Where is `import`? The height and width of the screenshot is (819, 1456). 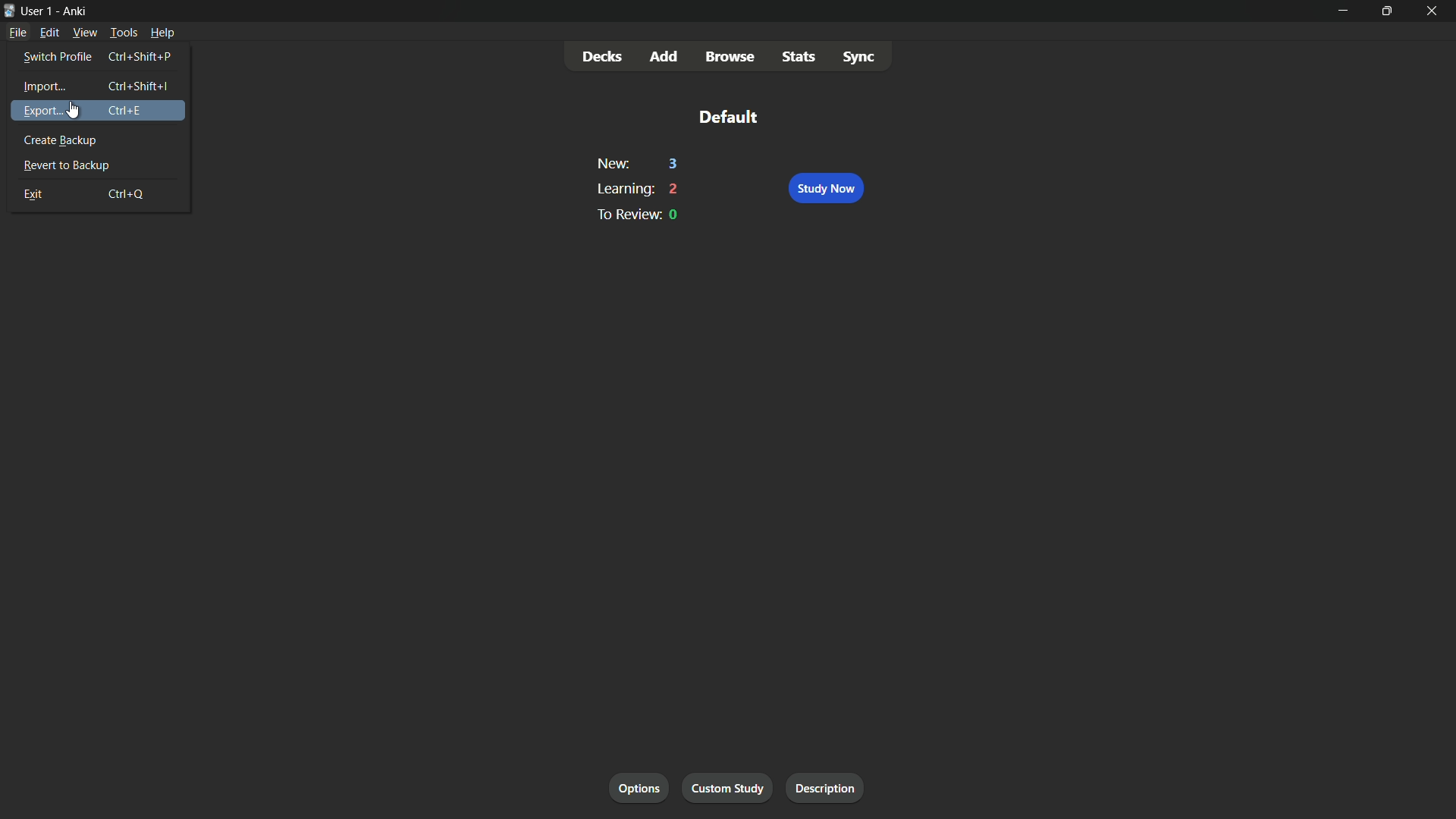
import is located at coordinates (39, 86).